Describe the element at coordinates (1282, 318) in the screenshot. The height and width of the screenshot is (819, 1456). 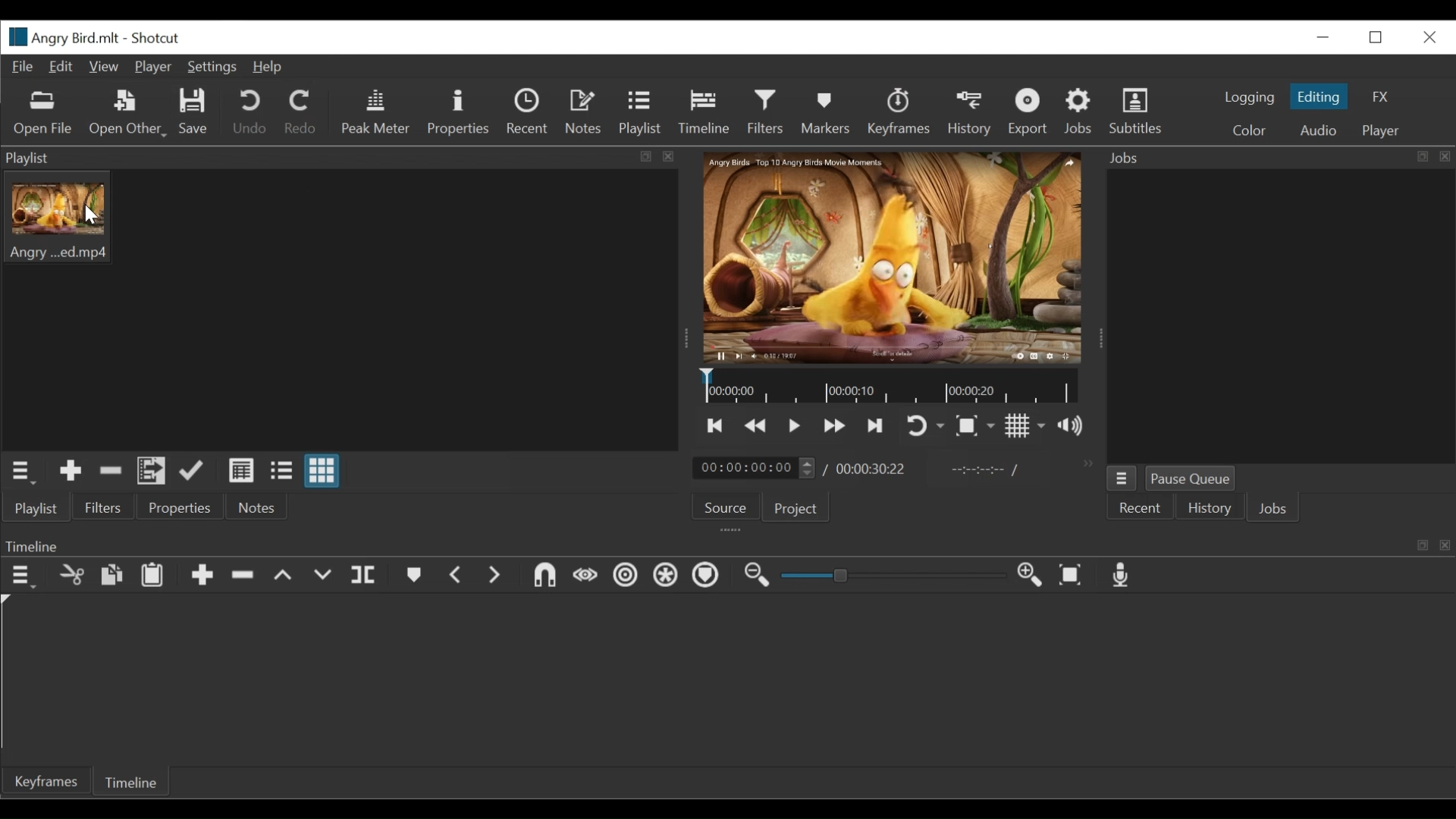
I see `jobs panel` at that location.